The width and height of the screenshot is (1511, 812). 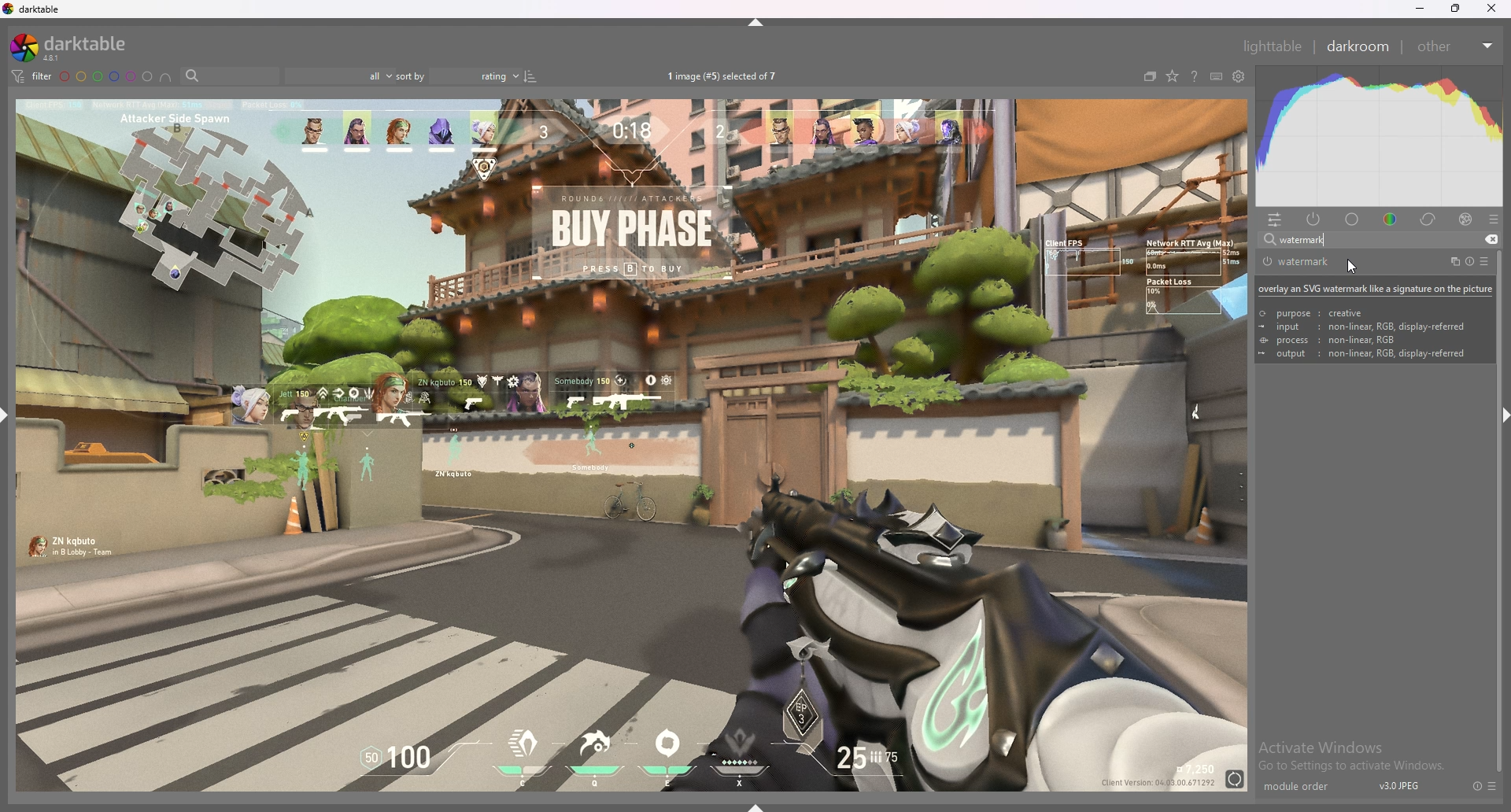 What do you see at coordinates (1393, 218) in the screenshot?
I see `color` at bounding box center [1393, 218].